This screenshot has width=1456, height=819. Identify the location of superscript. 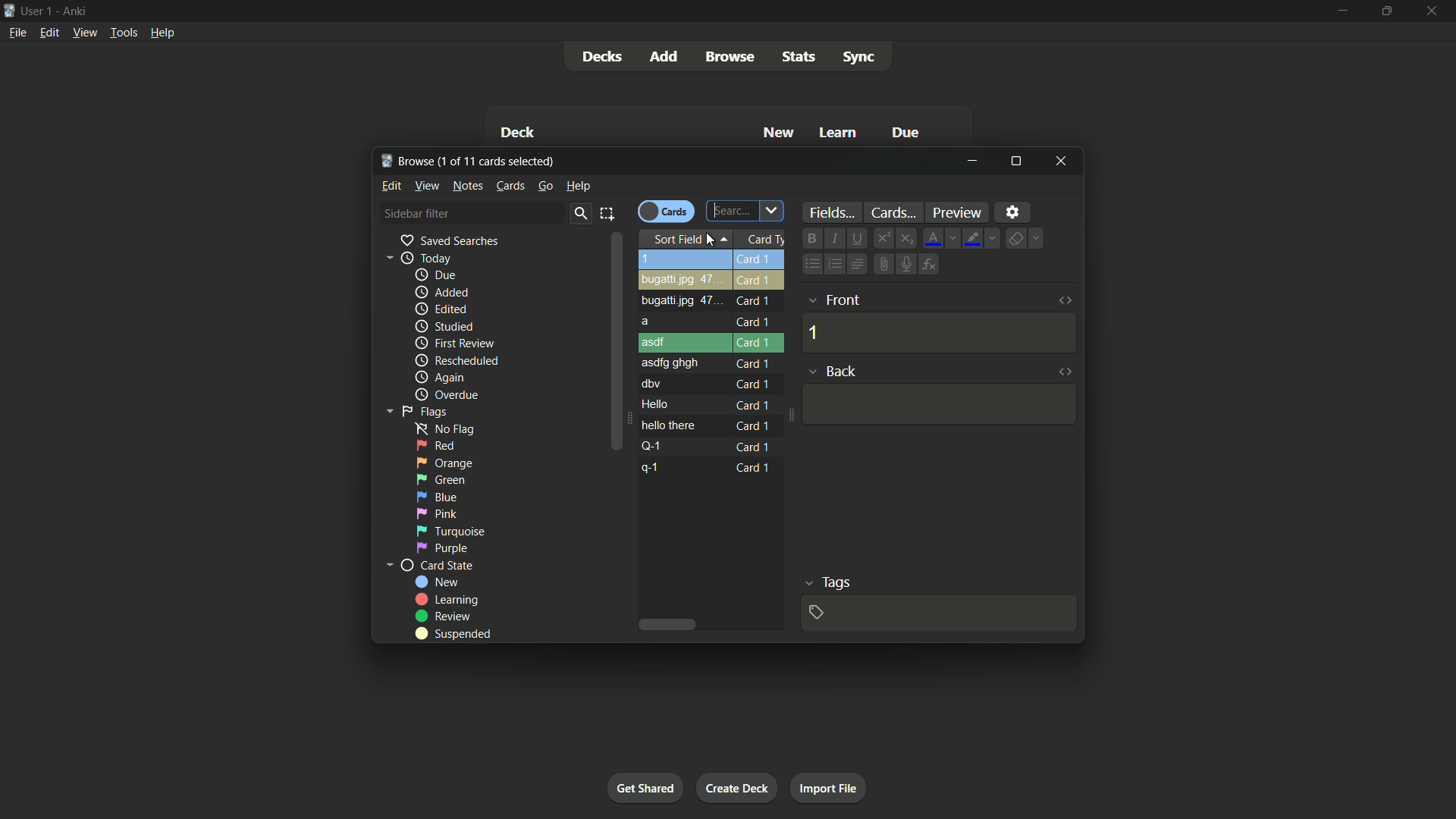
(882, 237).